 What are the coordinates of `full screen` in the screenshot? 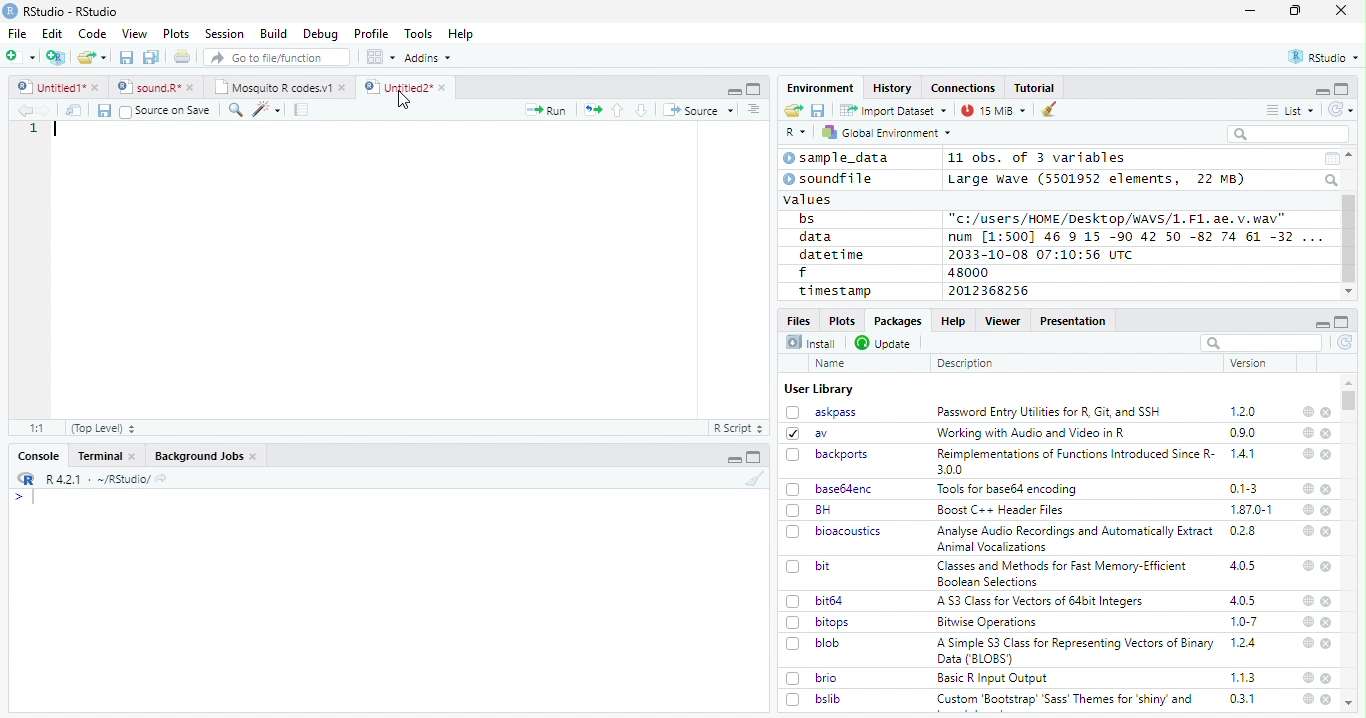 It's located at (1342, 322).